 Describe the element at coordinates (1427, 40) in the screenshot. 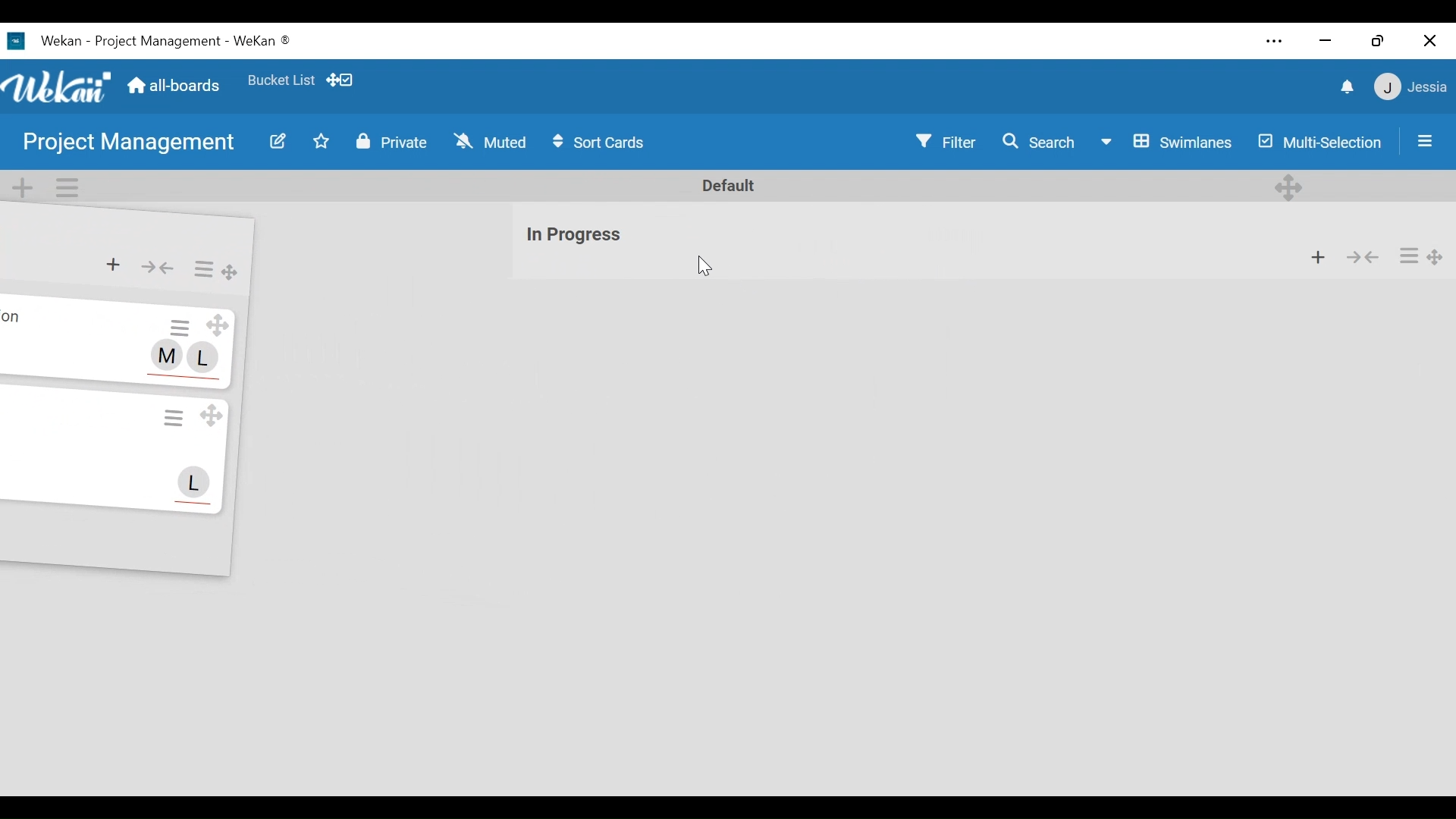

I see `close` at that location.